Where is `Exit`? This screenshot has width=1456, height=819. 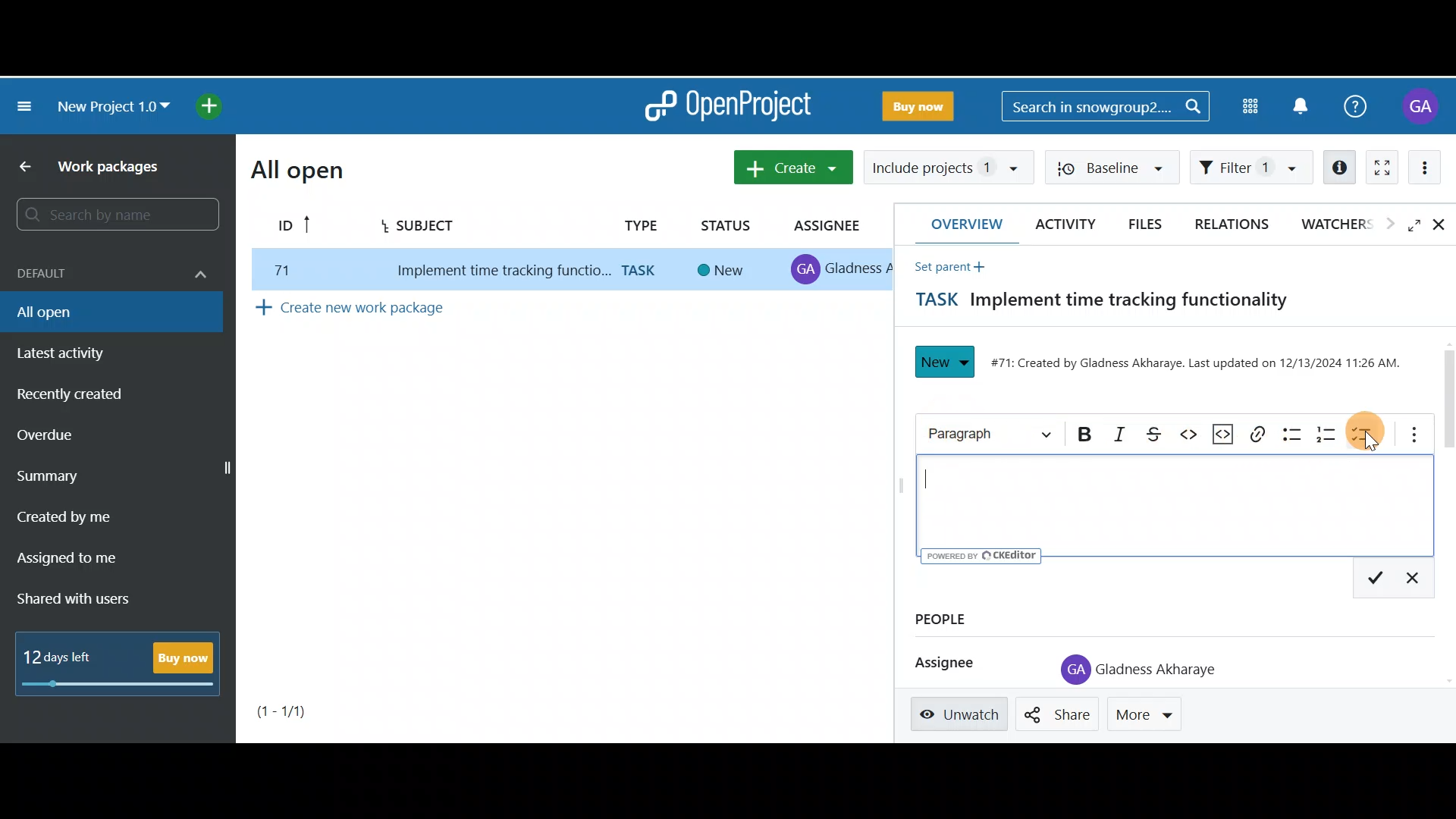
Exit is located at coordinates (1420, 579).